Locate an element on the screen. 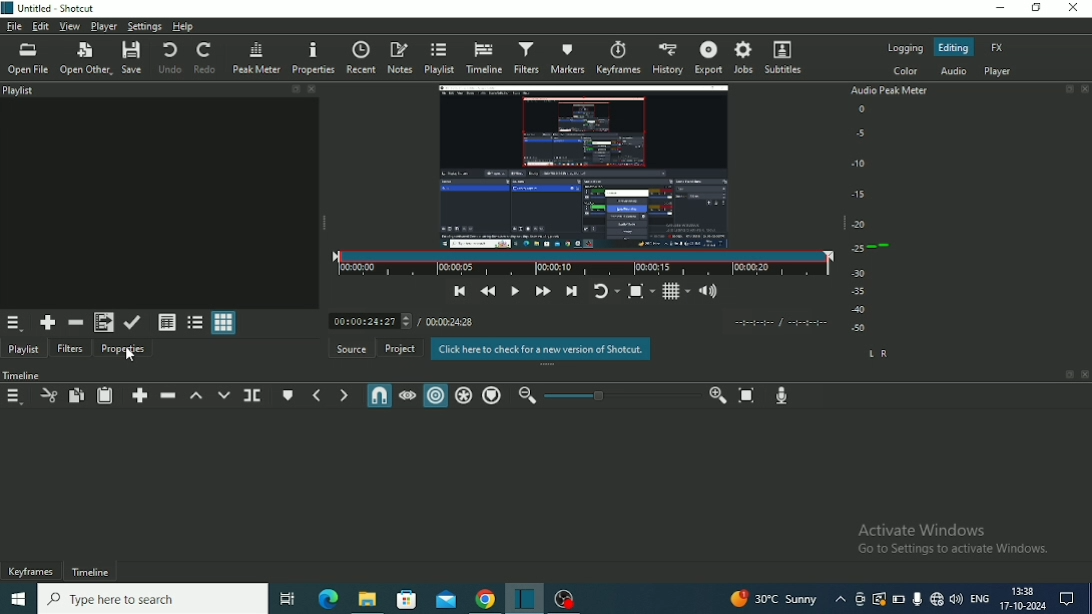 This screenshot has width=1092, height=614. Time is located at coordinates (1023, 591).